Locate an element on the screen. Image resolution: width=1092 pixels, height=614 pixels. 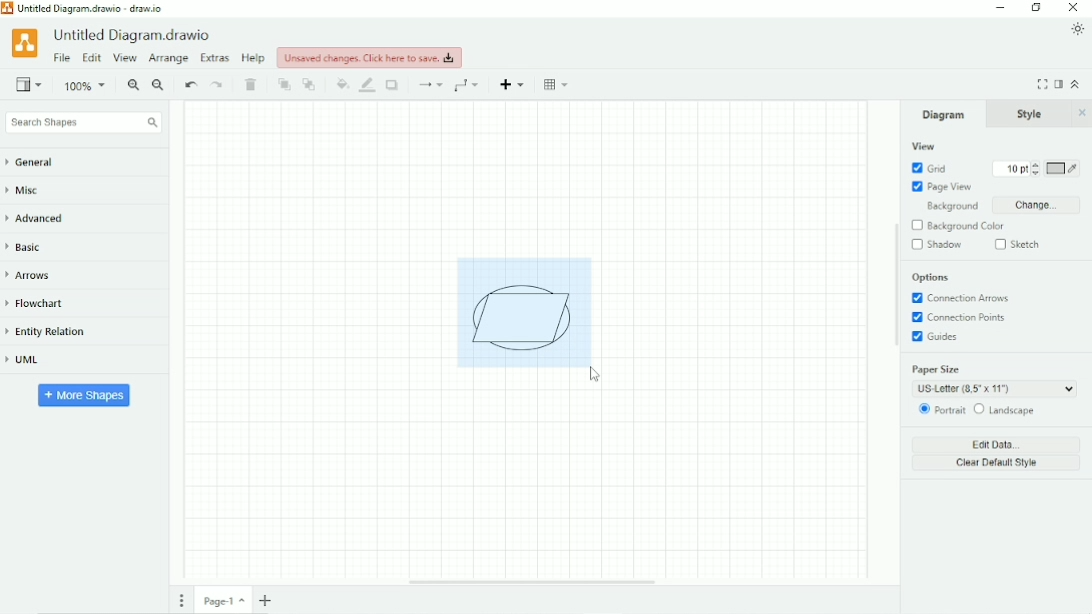
Zoom in is located at coordinates (133, 86).